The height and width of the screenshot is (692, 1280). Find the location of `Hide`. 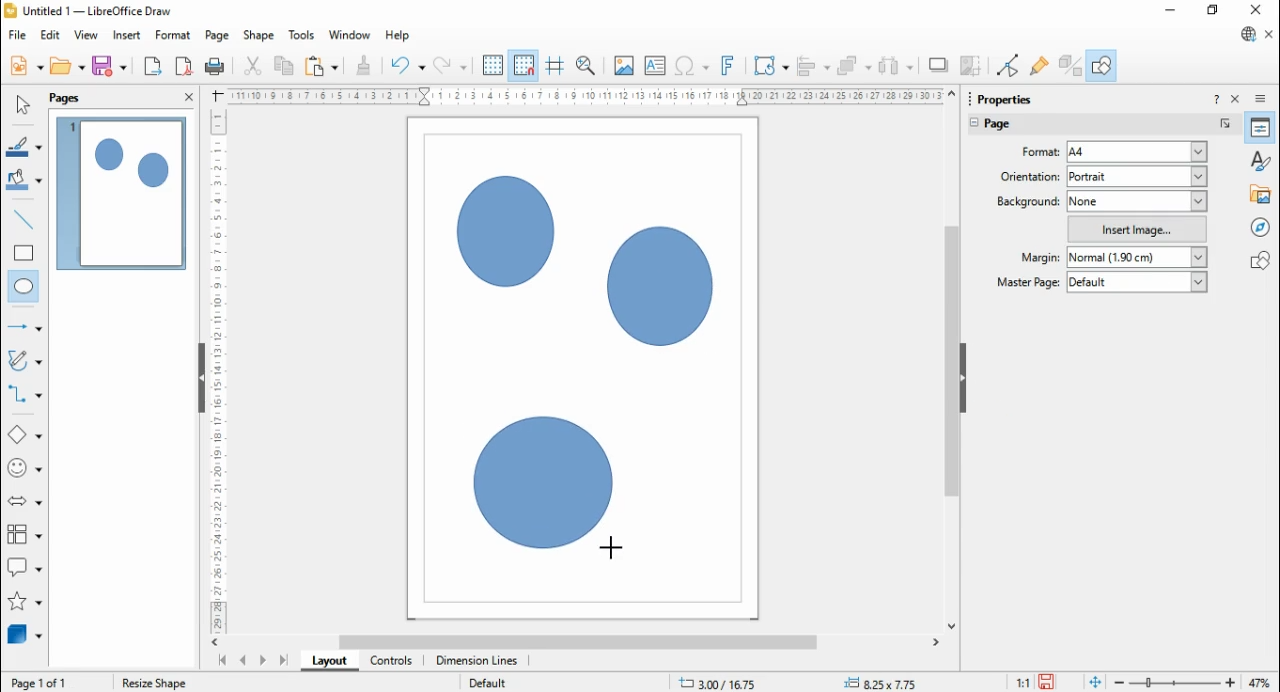

Hide is located at coordinates (201, 380).